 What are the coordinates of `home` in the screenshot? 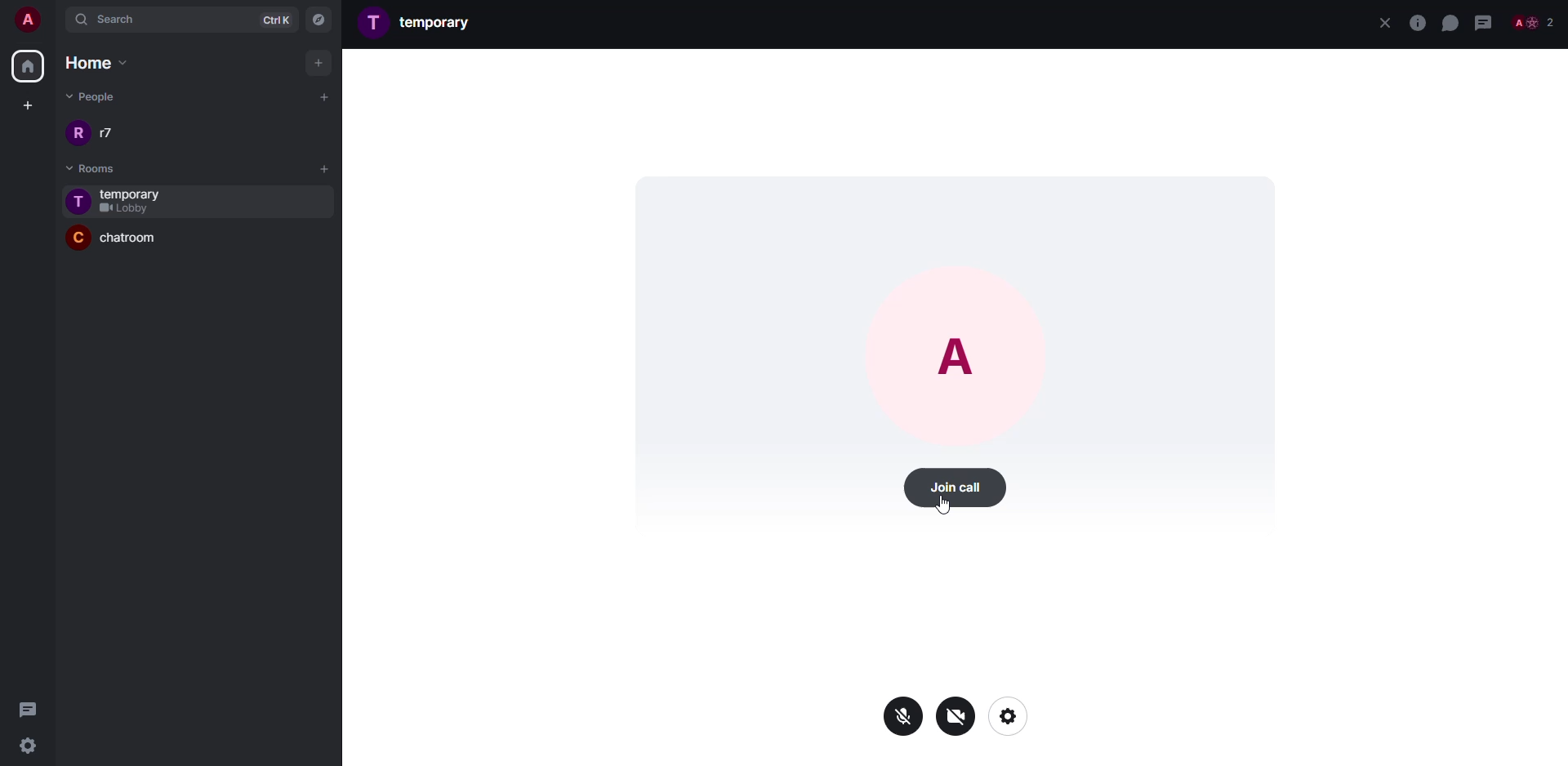 It's located at (91, 62).